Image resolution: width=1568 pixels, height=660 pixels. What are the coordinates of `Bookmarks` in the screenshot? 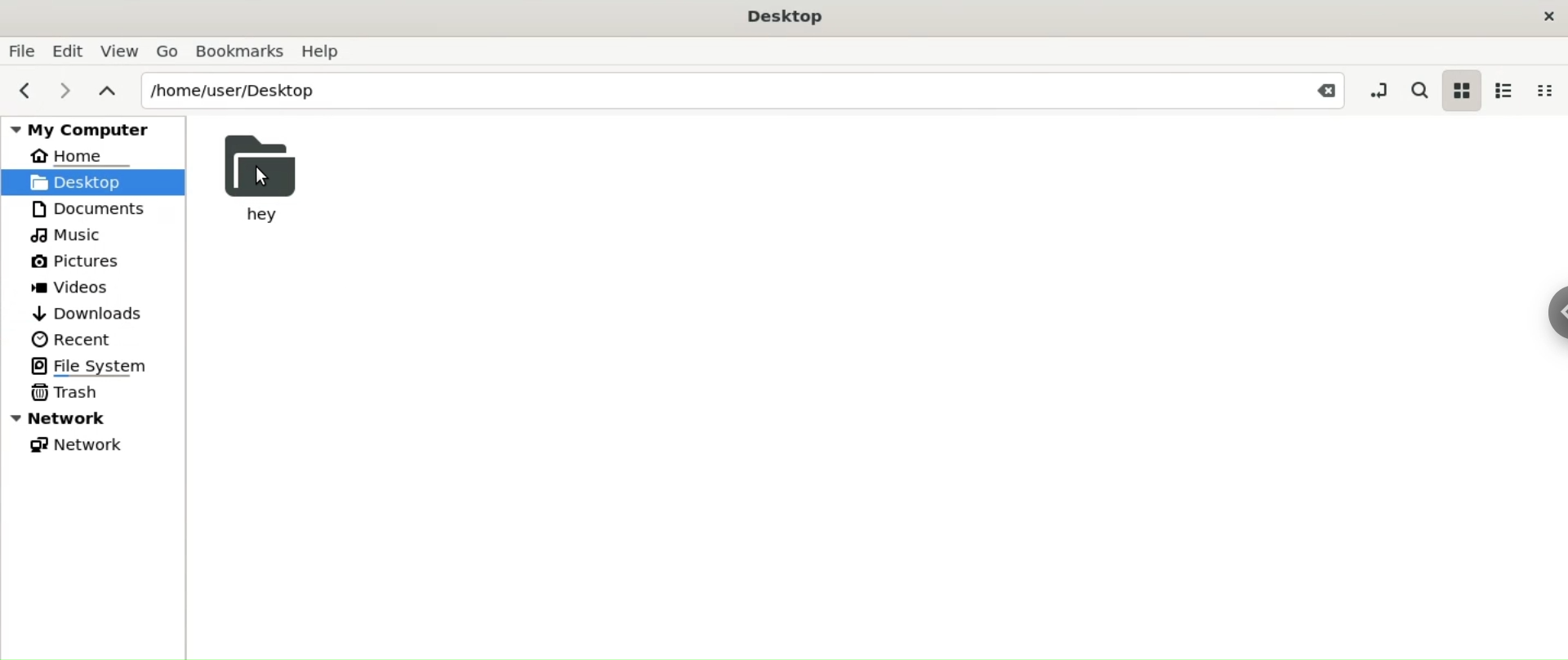 It's located at (242, 53).